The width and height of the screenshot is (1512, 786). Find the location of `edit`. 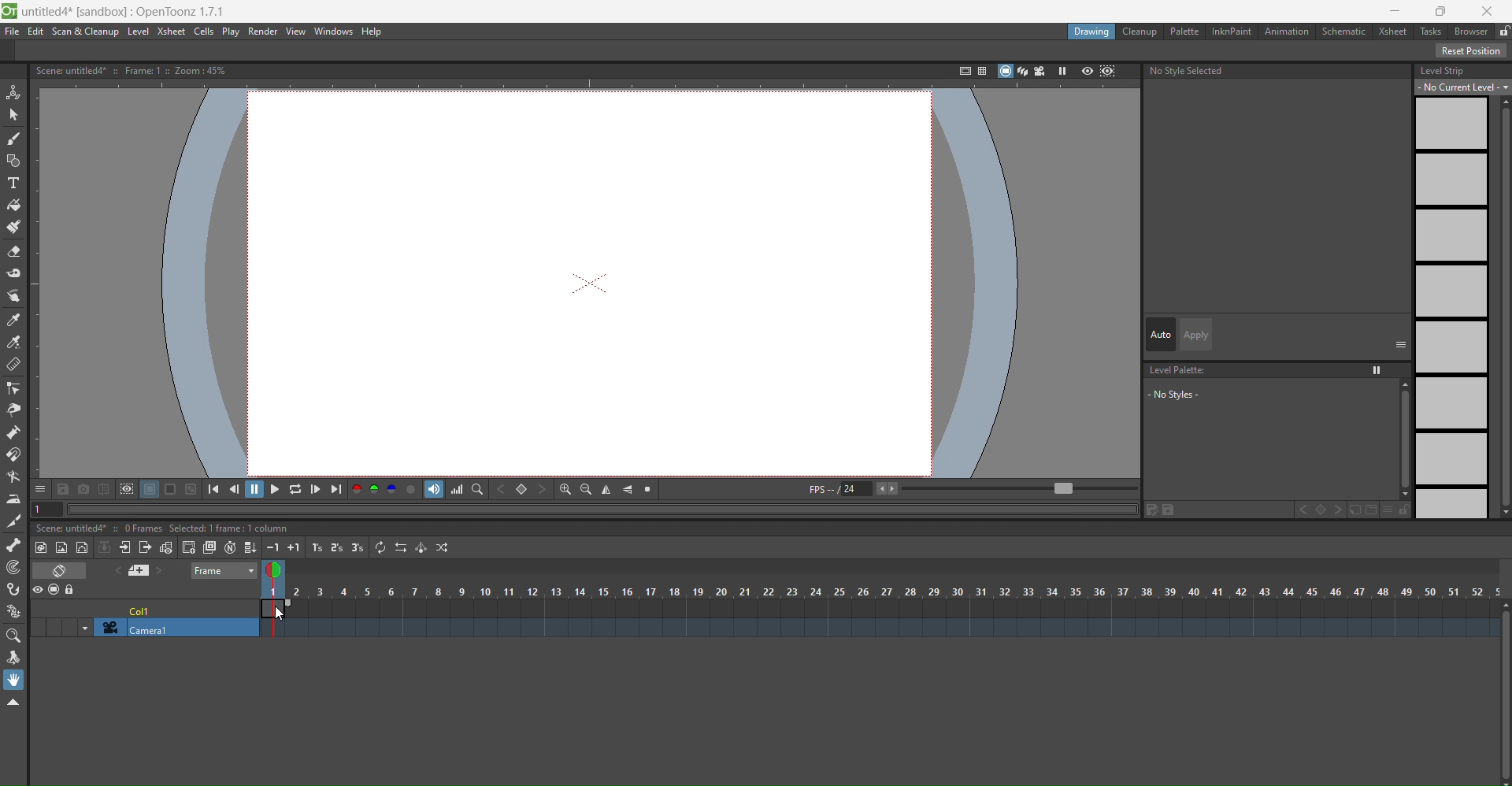

edit is located at coordinates (36, 32).